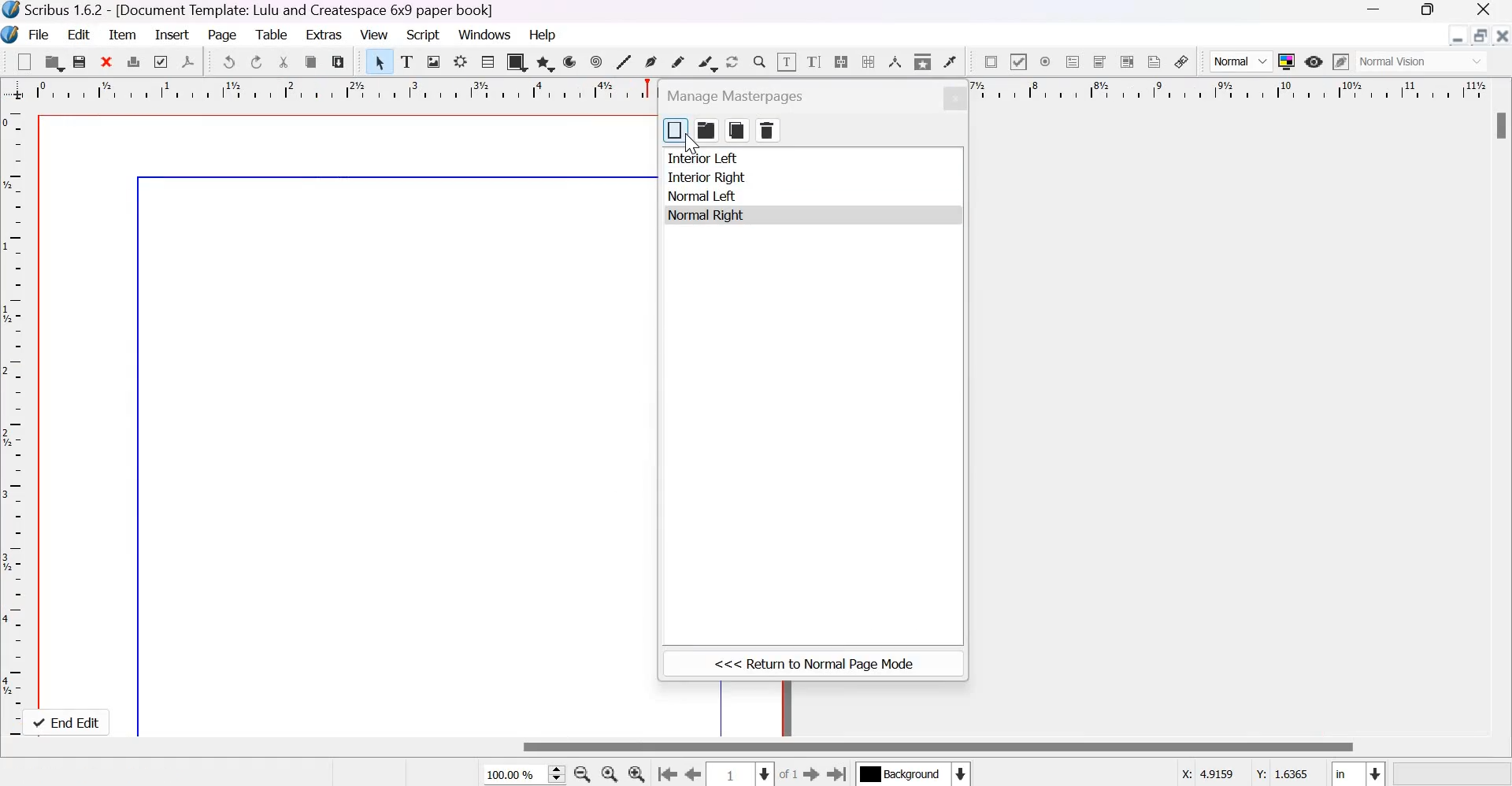 The image size is (1512, 786). Describe the element at coordinates (580, 773) in the screenshot. I see `zoom out` at that location.